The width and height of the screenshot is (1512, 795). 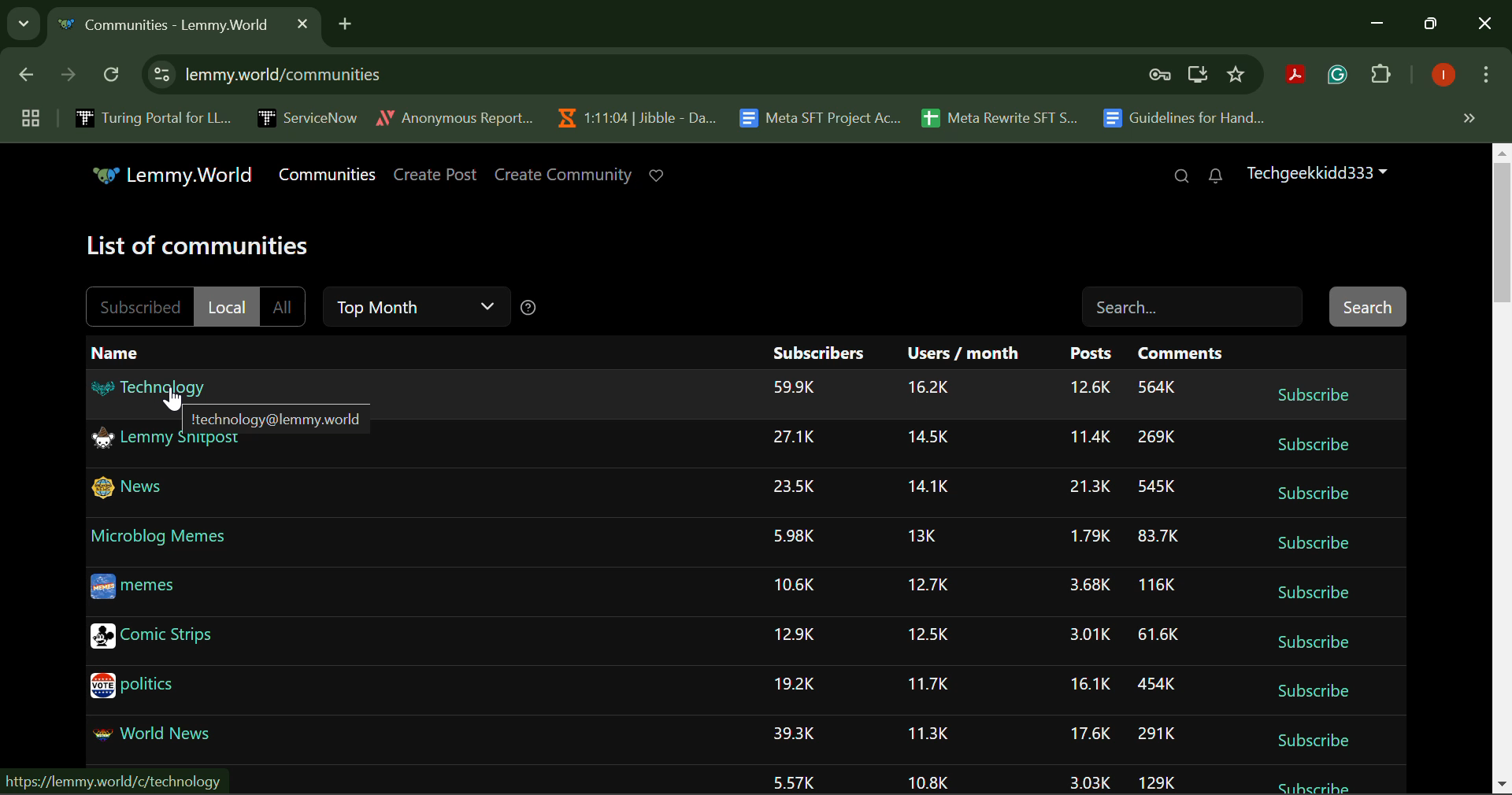 I want to click on Minimize, so click(x=1433, y=24).